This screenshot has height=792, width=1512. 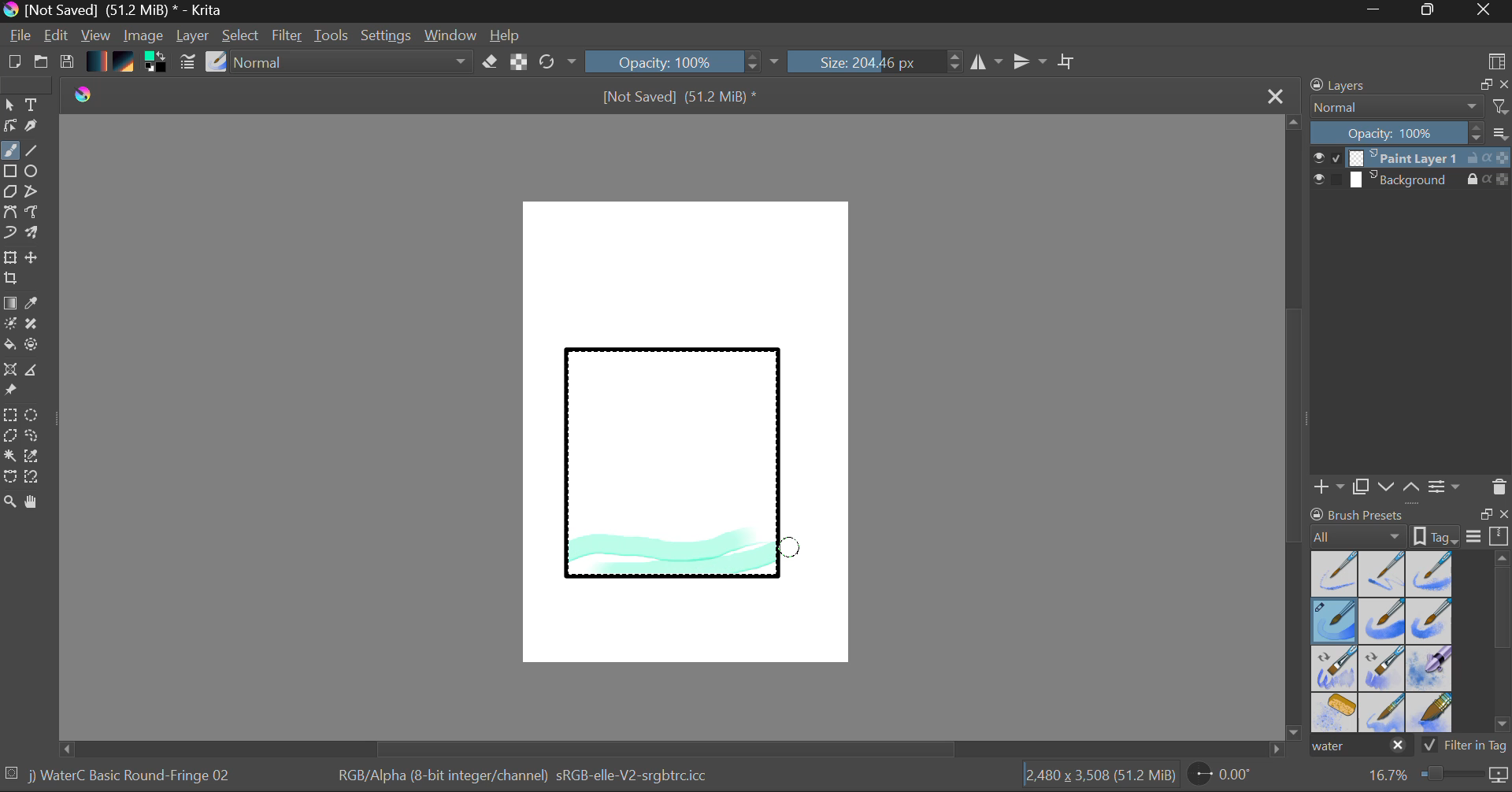 I want to click on logo, so click(x=84, y=96).